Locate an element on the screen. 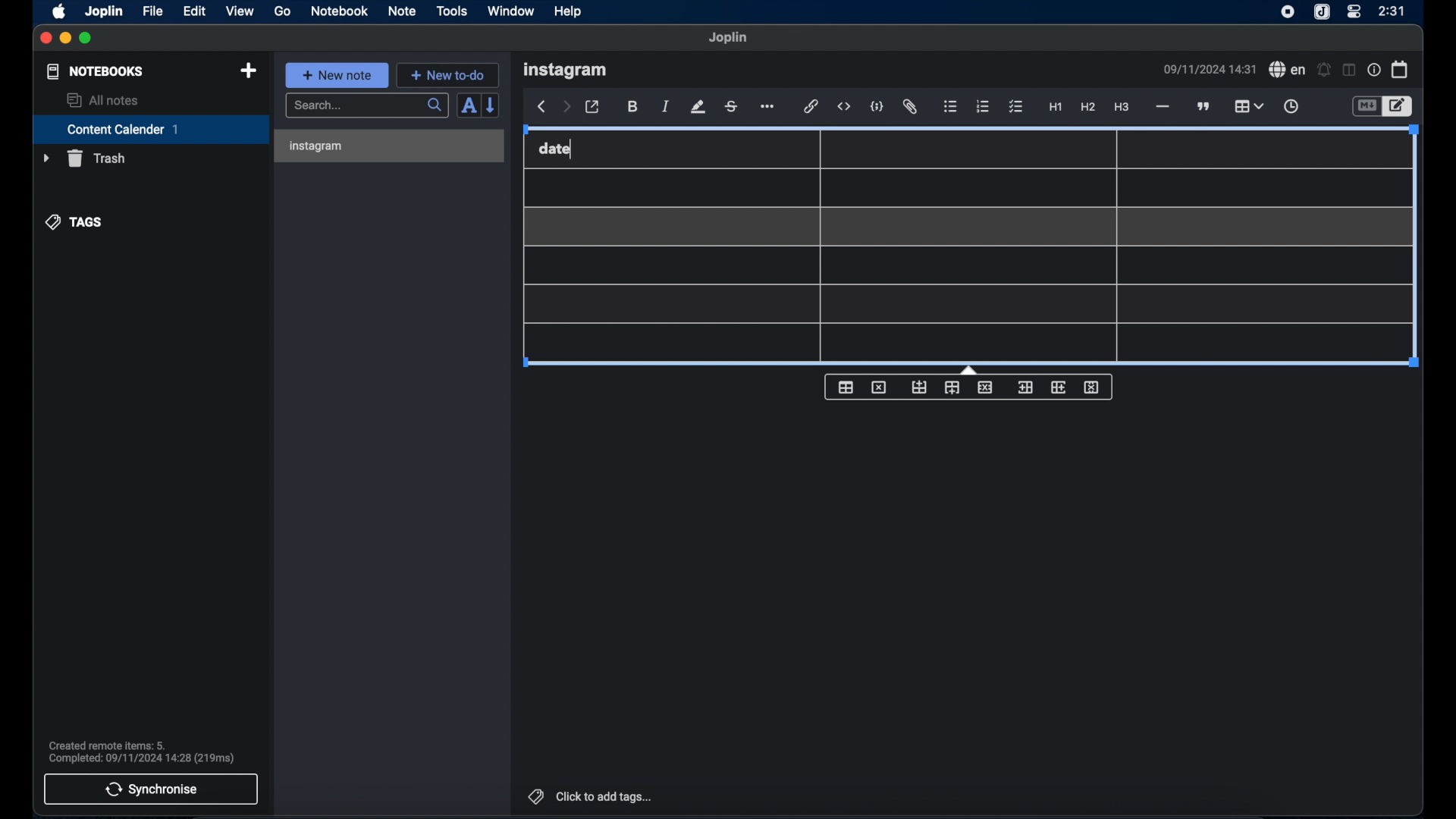 The image size is (1456, 819). heading 3 is located at coordinates (1122, 108).